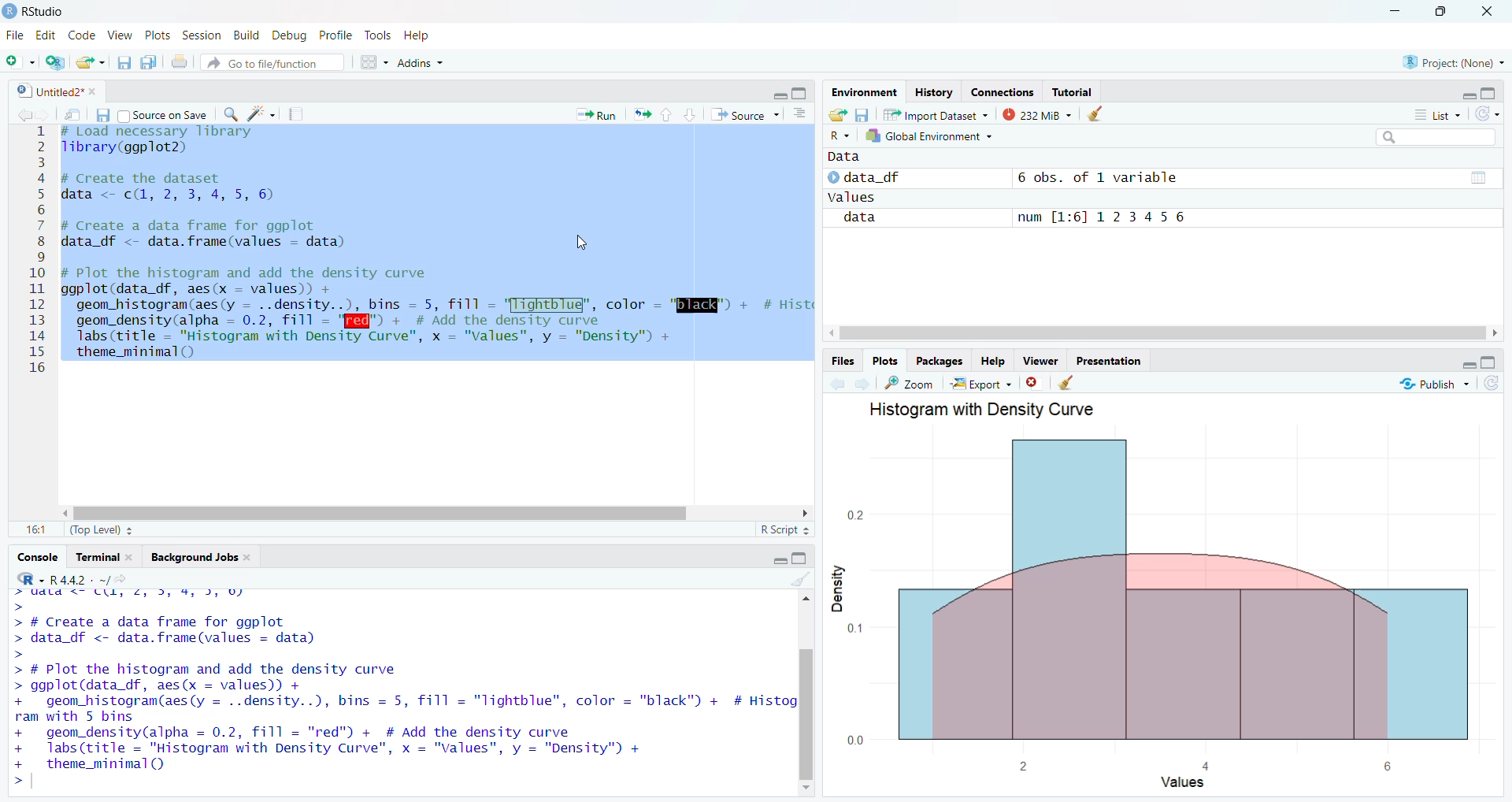  What do you see at coordinates (935, 89) in the screenshot?
I see `History` at bounding box center [935, 89].